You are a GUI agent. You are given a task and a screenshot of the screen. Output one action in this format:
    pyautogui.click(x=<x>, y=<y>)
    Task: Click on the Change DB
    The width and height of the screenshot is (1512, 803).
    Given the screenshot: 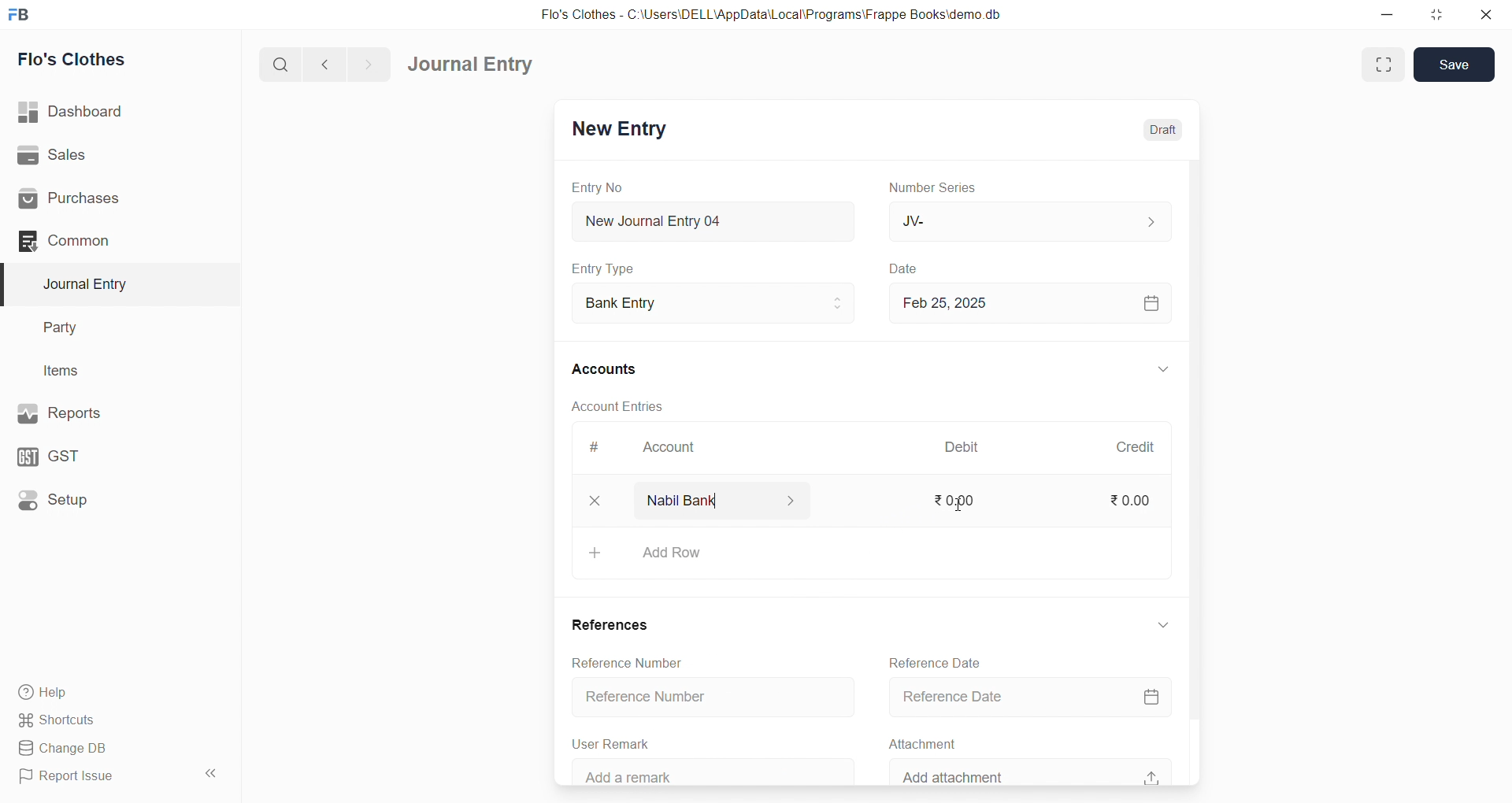 What is the action you would take?
    pyautogui.click(x=113, y=749)
    